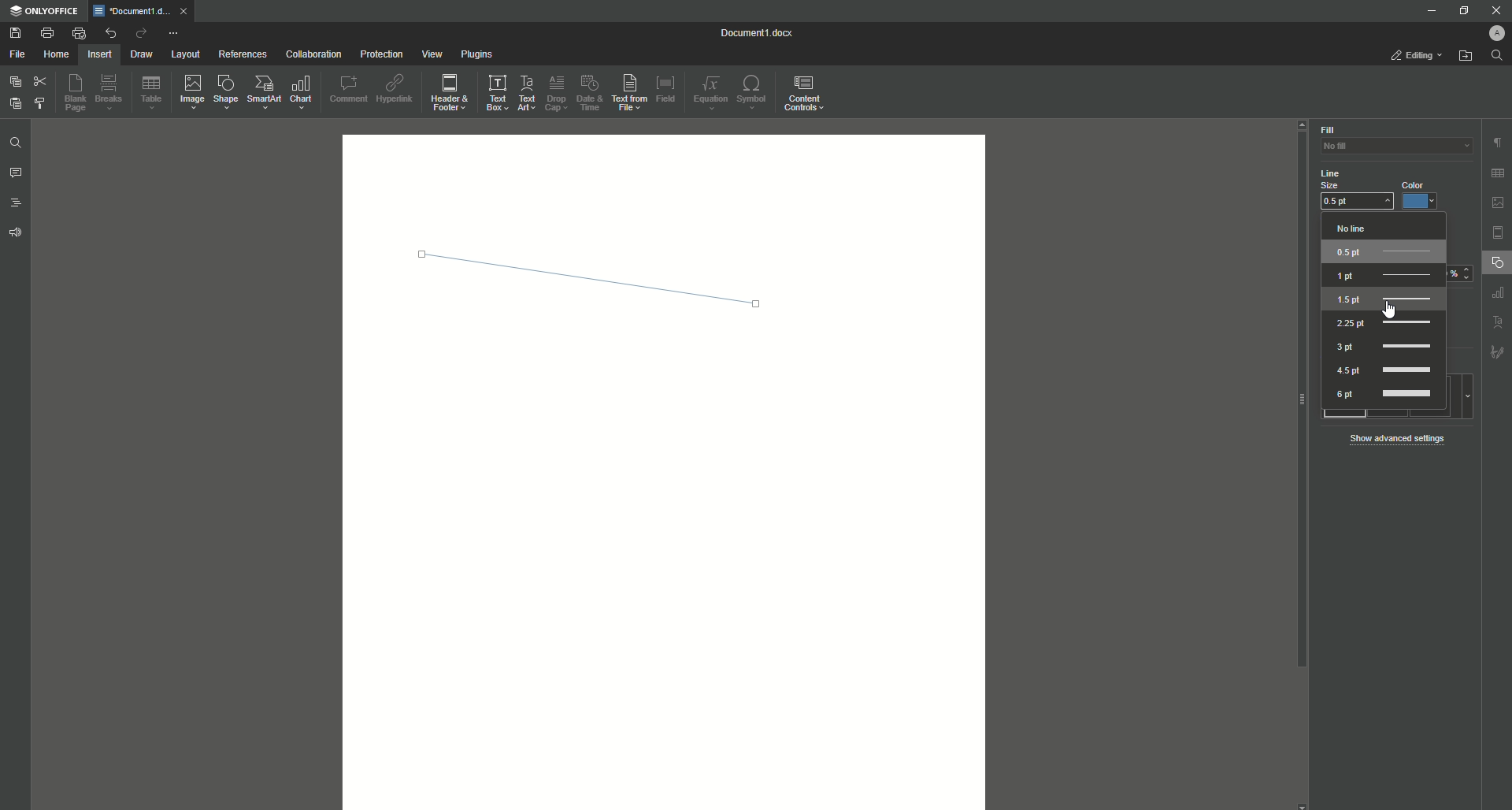 The width and height of the screenshot is (1512, 810). I want to click on , so click(1496, 295).